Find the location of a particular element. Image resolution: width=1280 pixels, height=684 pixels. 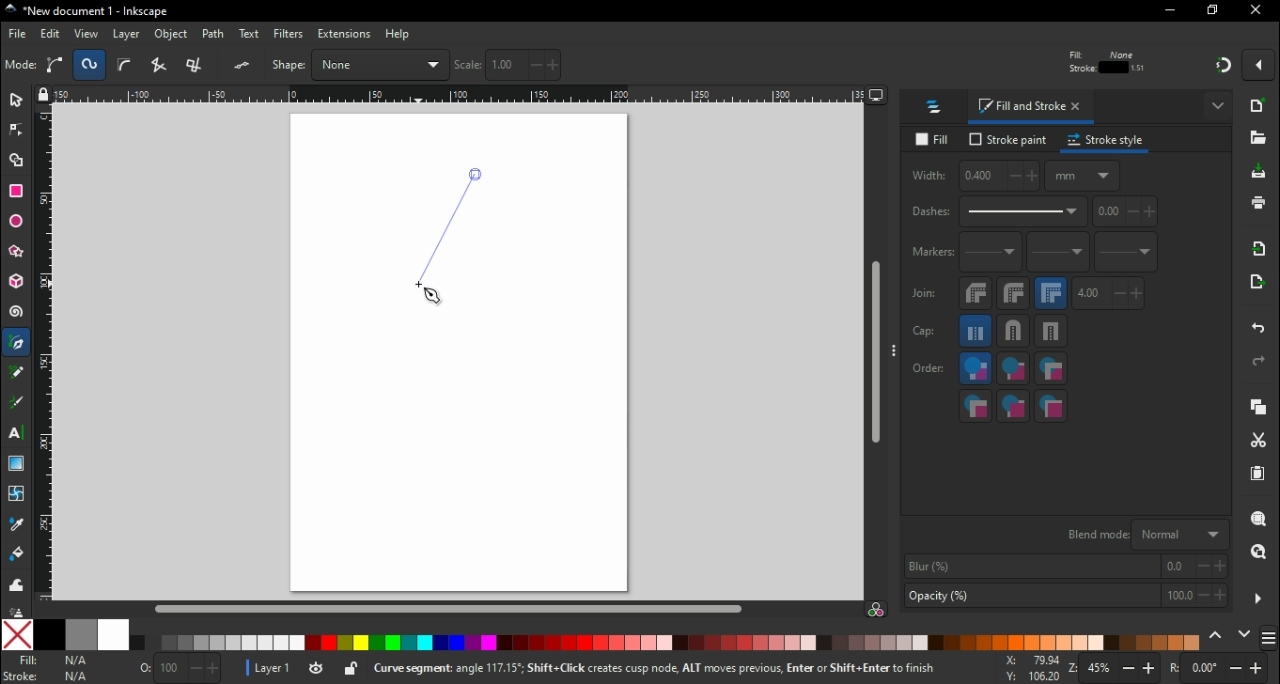

stroke markers, fill is located at coordinates (1015, 408).